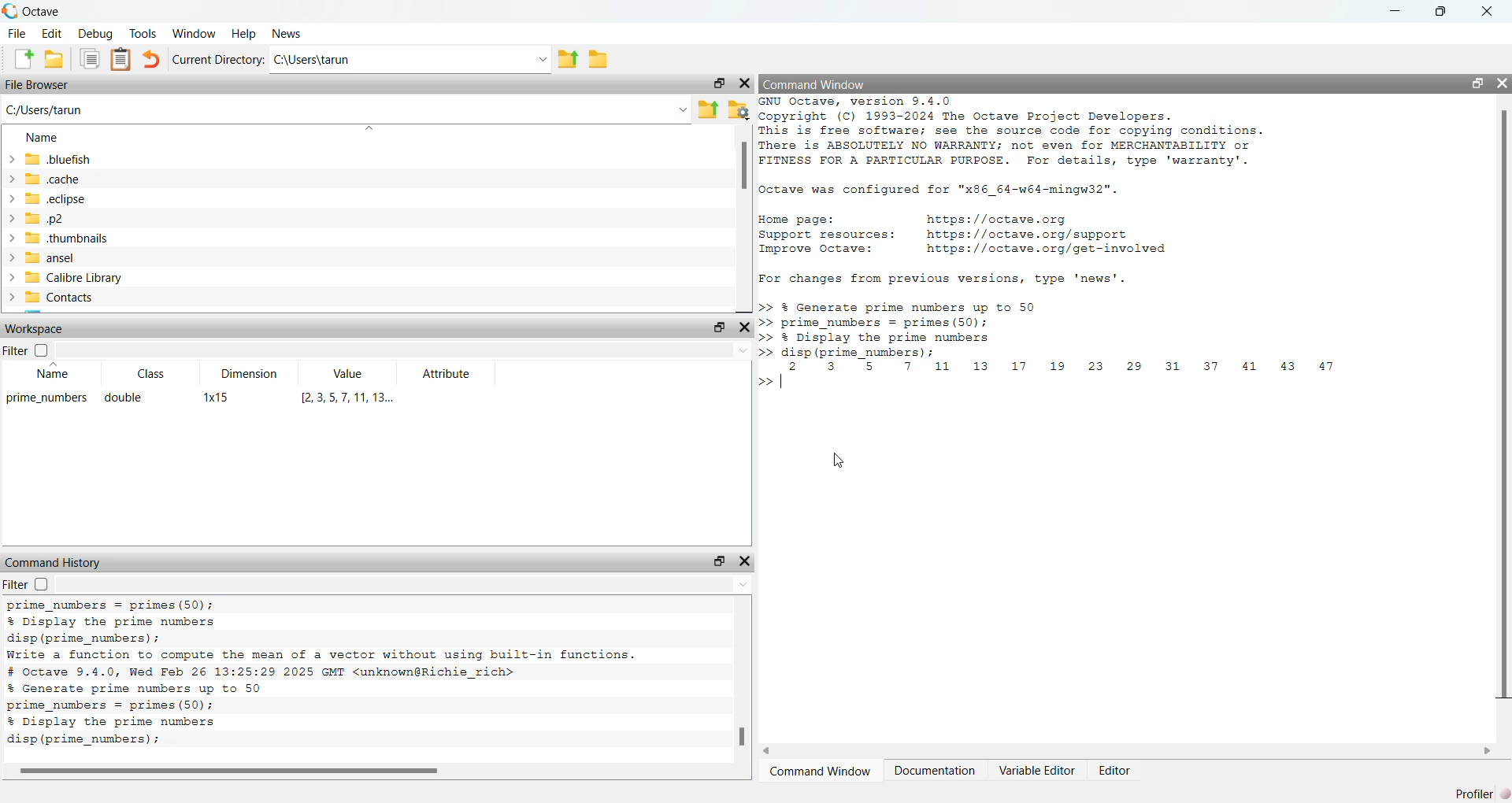 The width and height of the screenshot is (1512, 803). Describe the element at coordinates (11, 11) in the screenshot. I see `logo` at that location.